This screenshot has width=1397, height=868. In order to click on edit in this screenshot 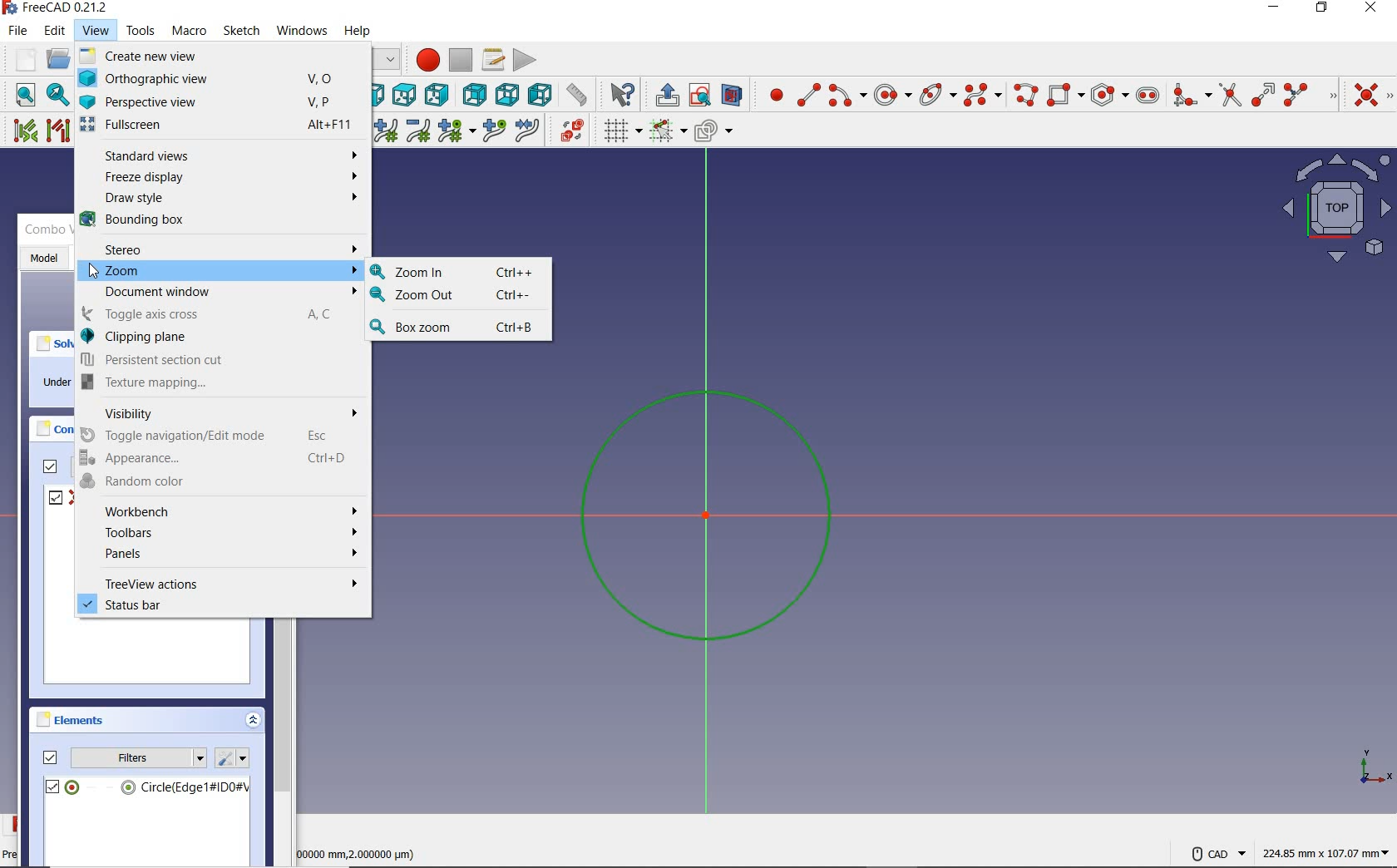, I will do `click(55, 31)`.